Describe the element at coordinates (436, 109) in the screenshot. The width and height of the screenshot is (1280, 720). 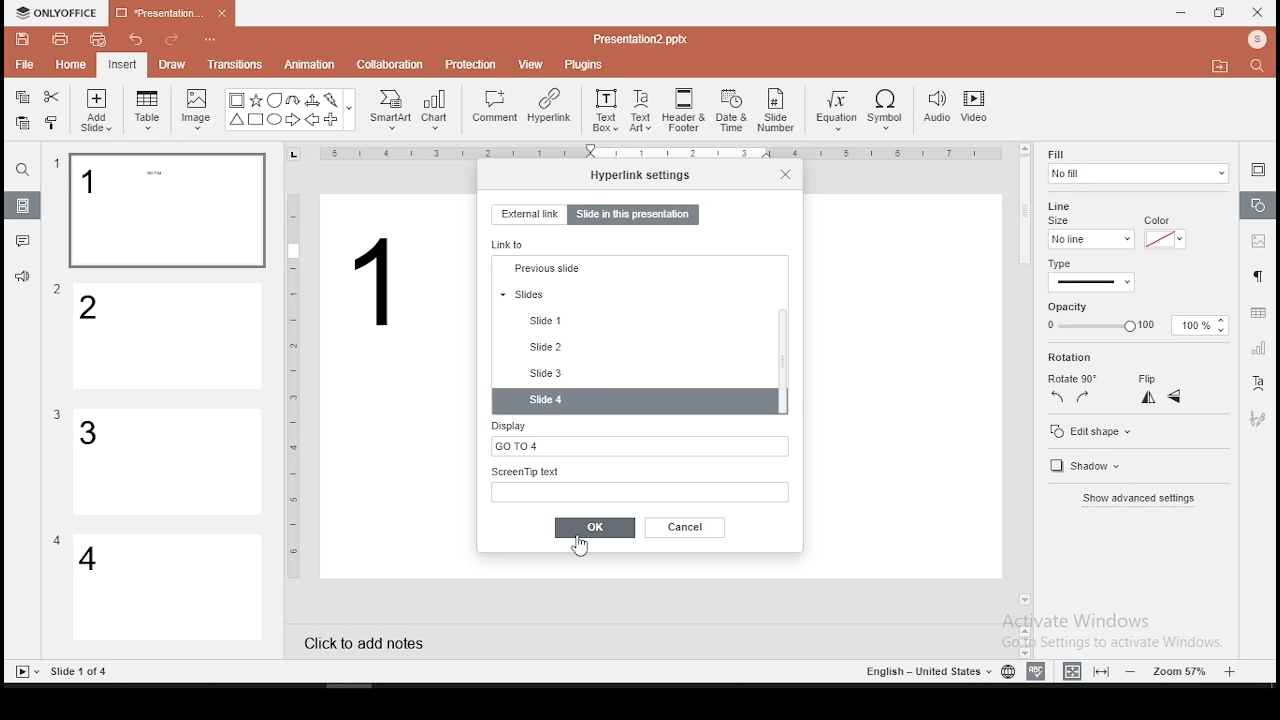
I see `chart` at that location.